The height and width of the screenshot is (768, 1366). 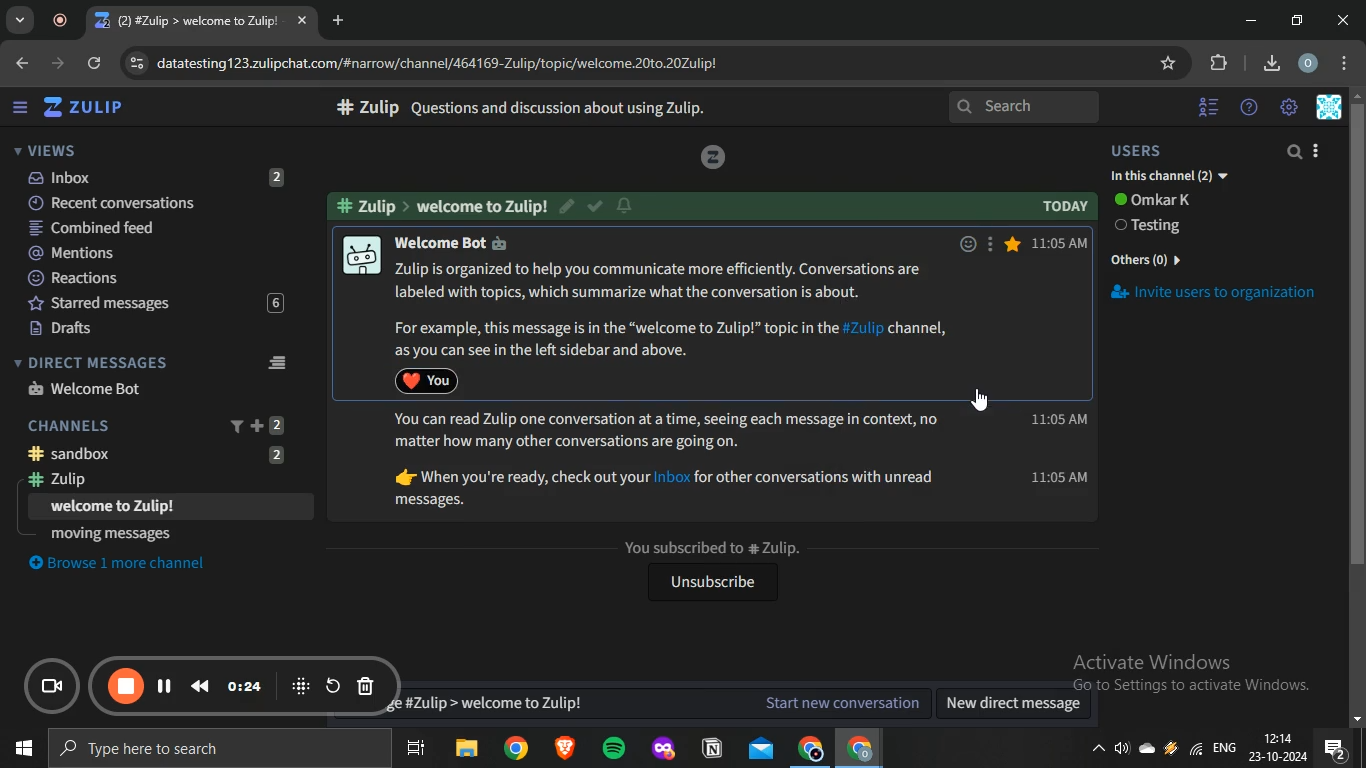 What do you see at coordinates (155, 362) in the screenshot?
I see `direct messages` at bounding box center [155, 362].